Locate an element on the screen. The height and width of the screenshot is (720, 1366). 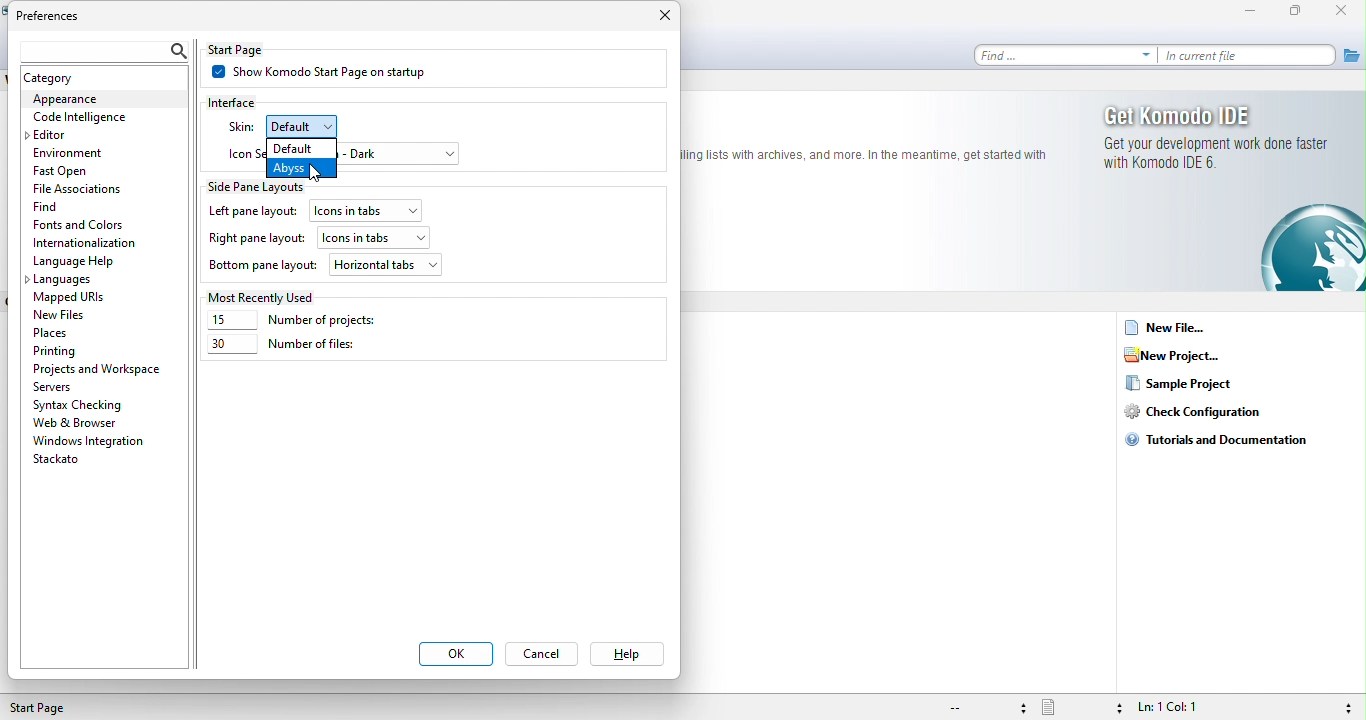
show komodo start page on startup is located at coordinates (333, 74).